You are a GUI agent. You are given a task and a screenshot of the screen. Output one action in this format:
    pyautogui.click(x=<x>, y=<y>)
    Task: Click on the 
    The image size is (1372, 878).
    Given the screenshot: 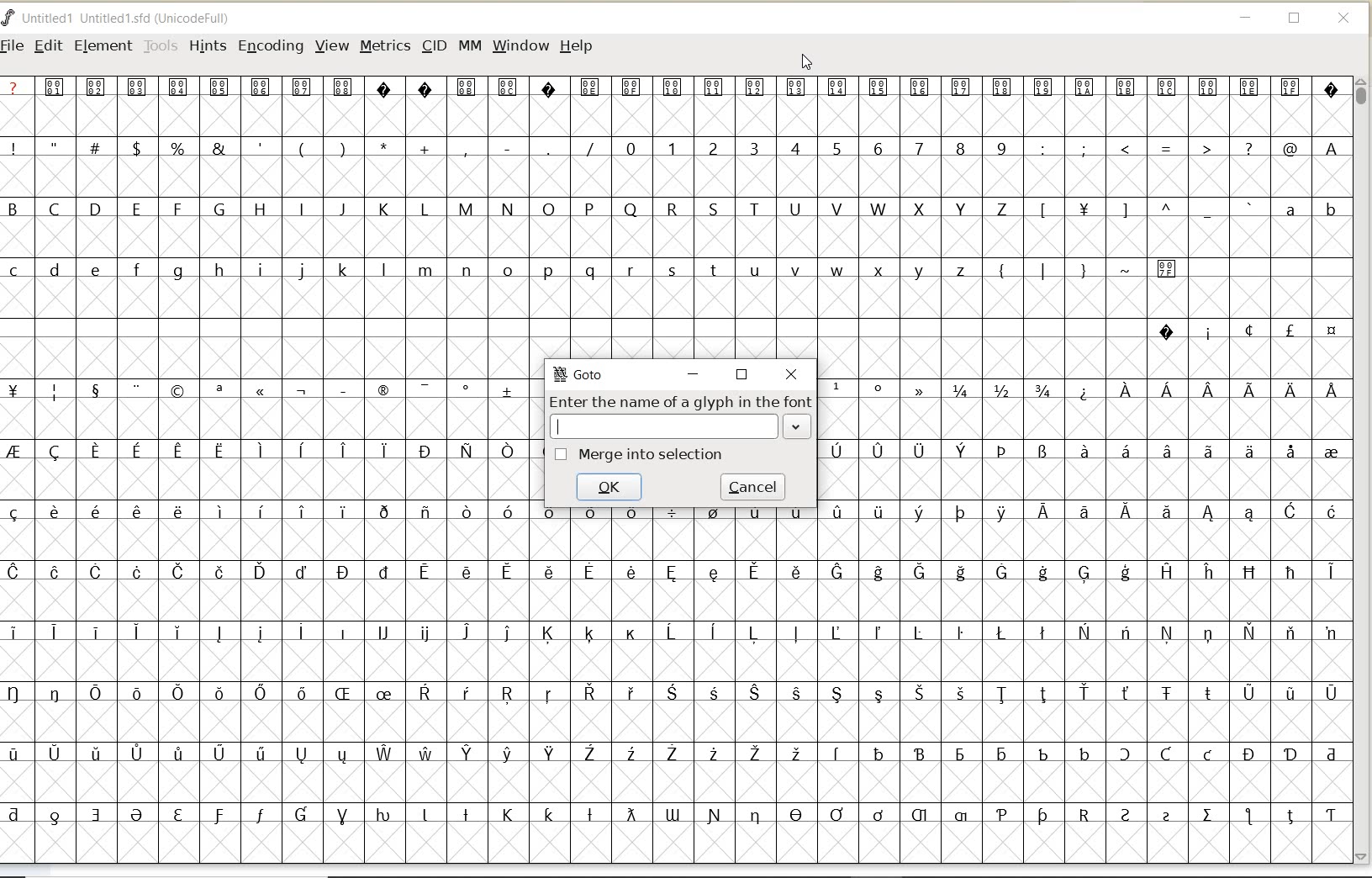 What is the action you would take?
    pyautogui.click(x=1143, y=211)
    